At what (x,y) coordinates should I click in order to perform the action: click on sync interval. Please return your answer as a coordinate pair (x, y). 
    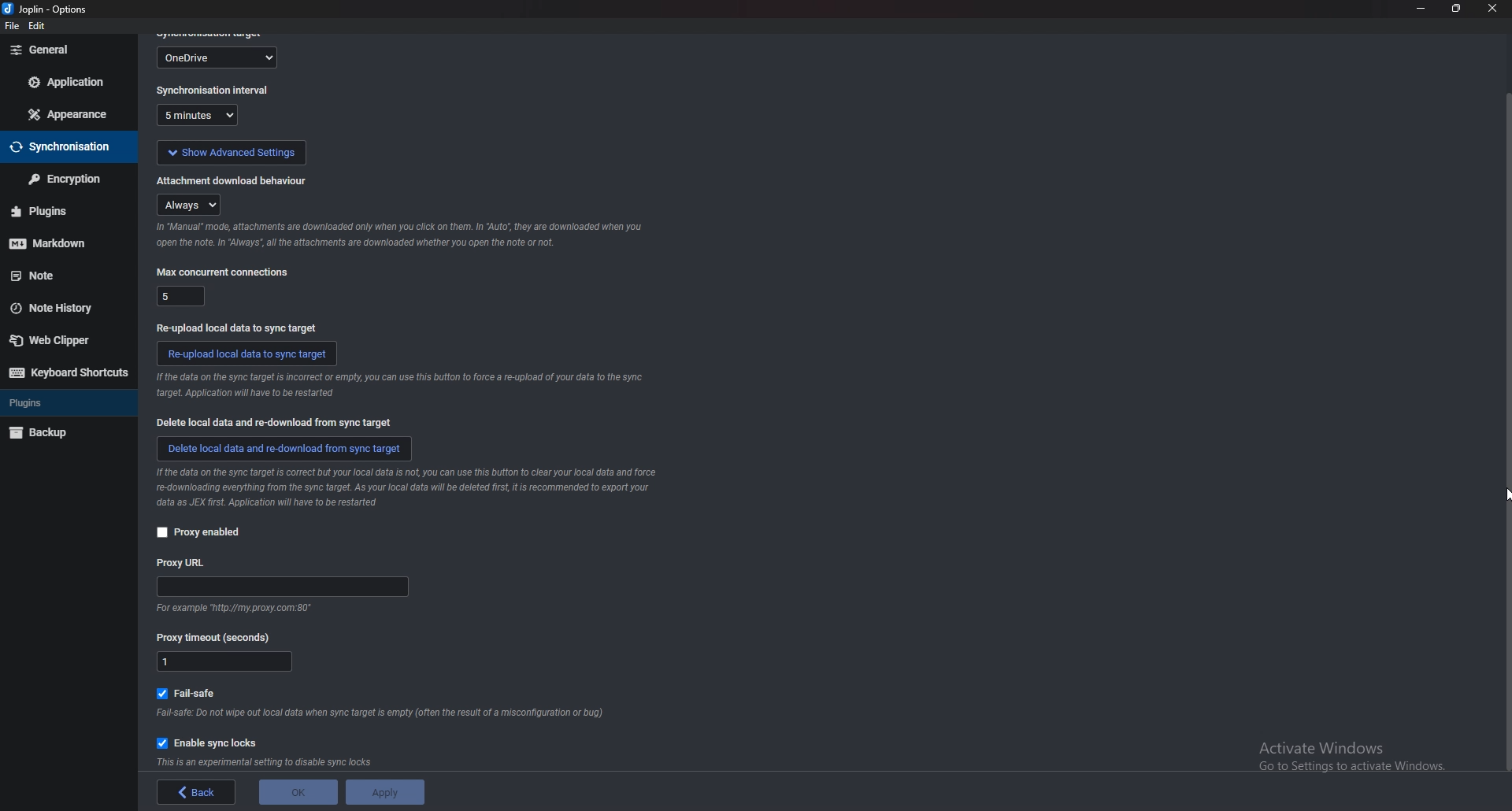
    Looking at the image, I should click on (214, 91).